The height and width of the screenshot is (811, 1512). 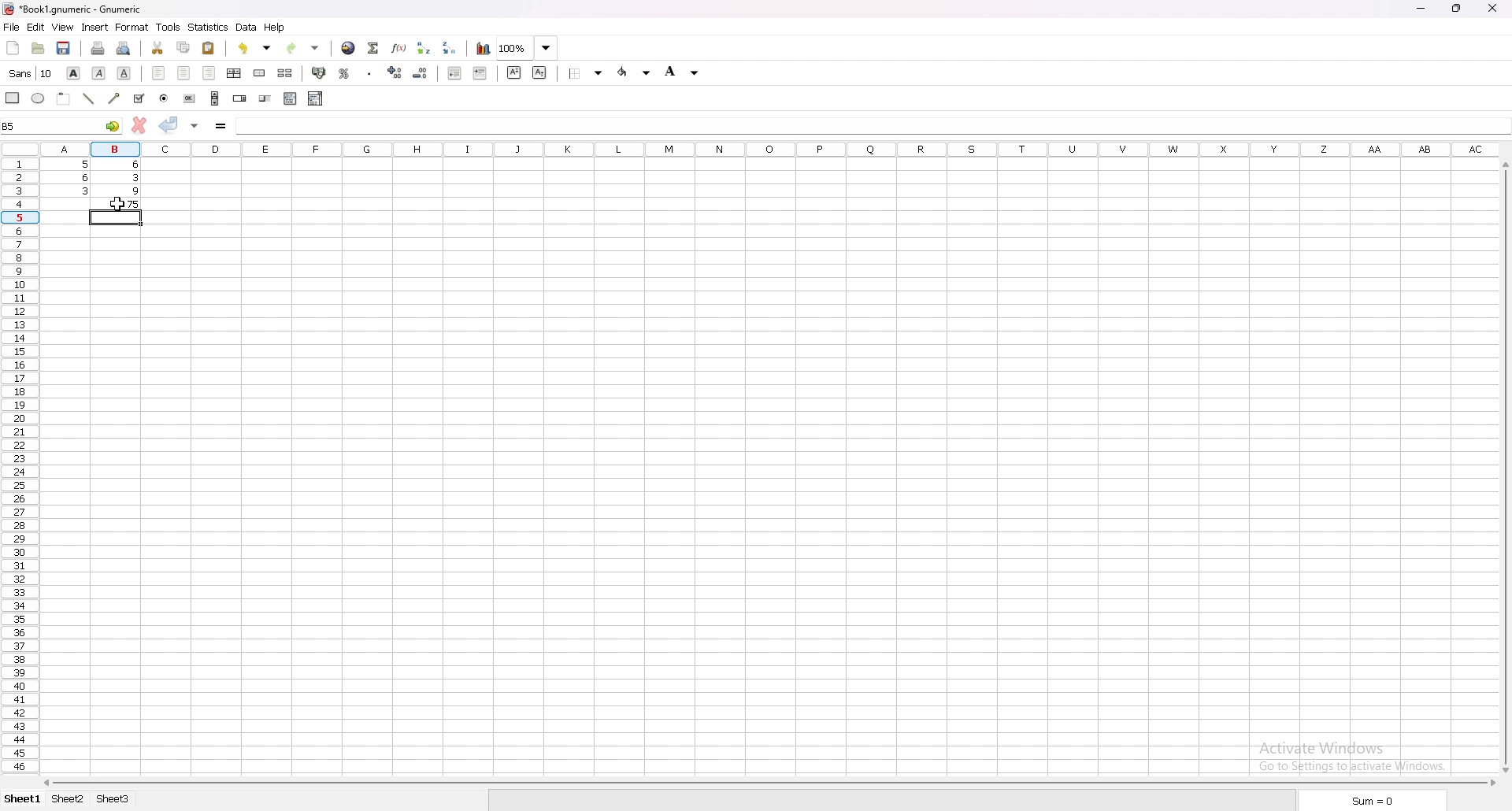 I want to click on combo box, so click(x=316, y=98).